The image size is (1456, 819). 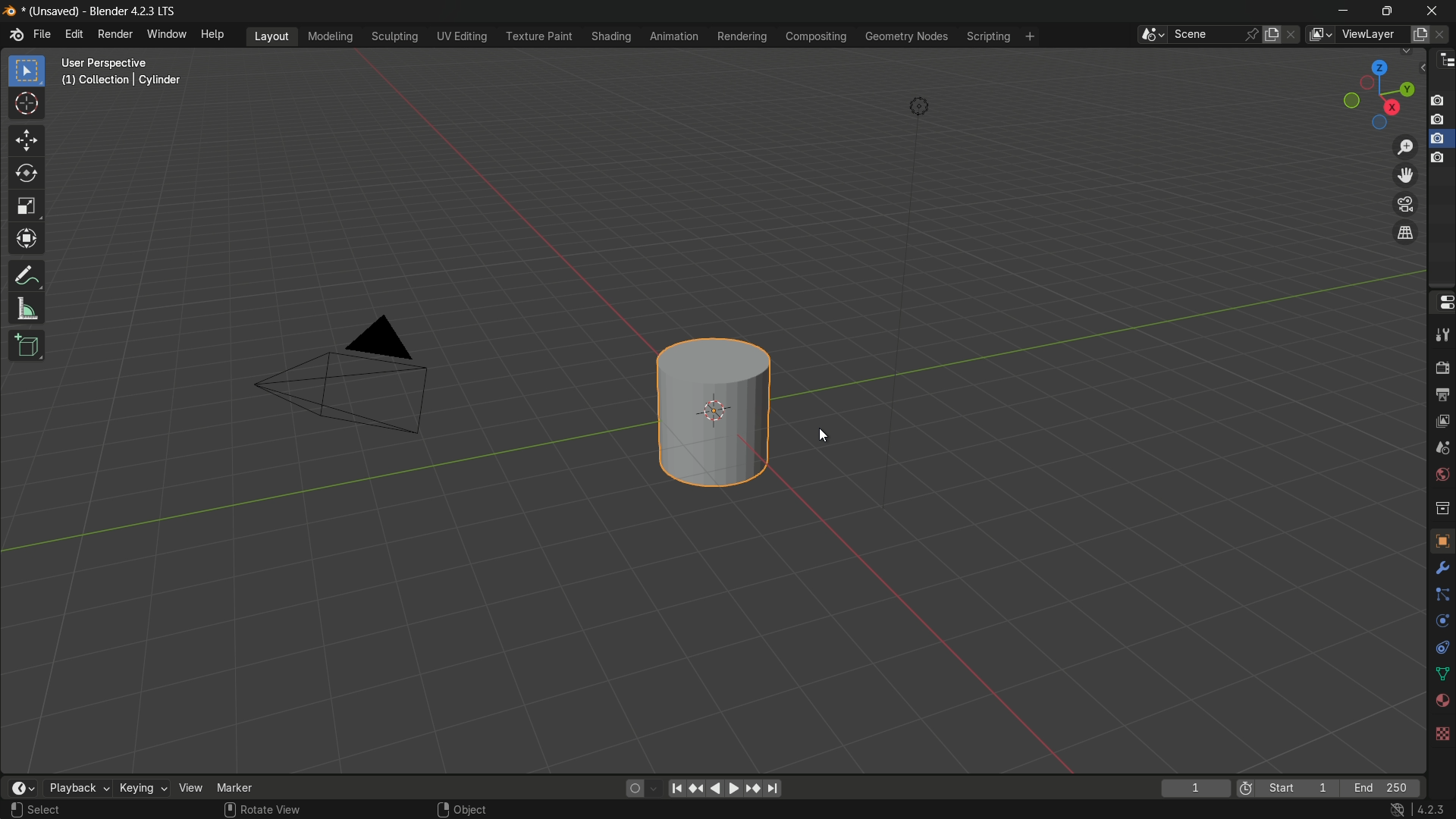 What do you see at coordinates (16, 35) in the screenshot?
I see `logo` at bounding box center [16, 35].